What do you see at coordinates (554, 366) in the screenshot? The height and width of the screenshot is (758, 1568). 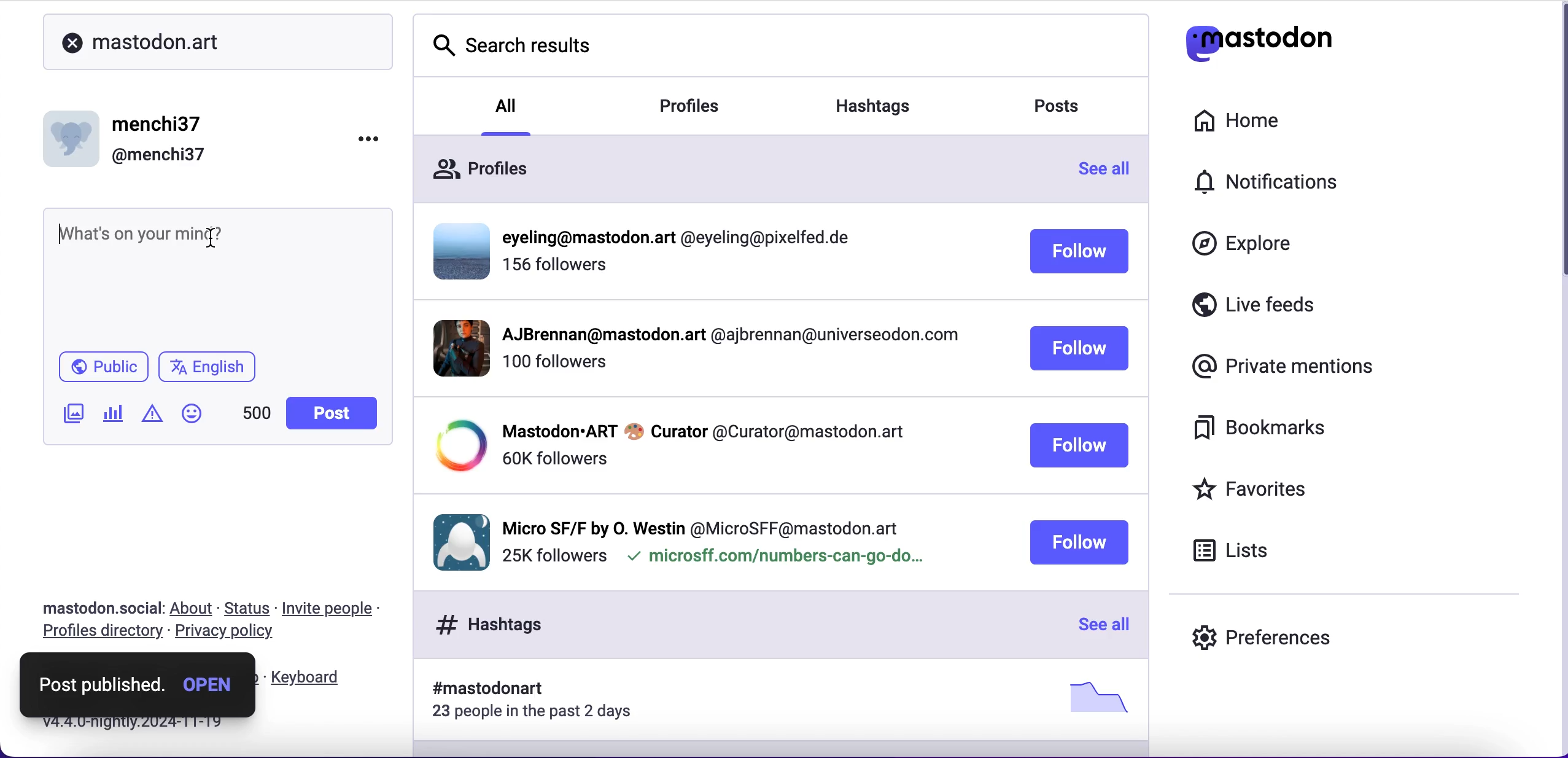 I see `followers` at bounding box center [554, 366].